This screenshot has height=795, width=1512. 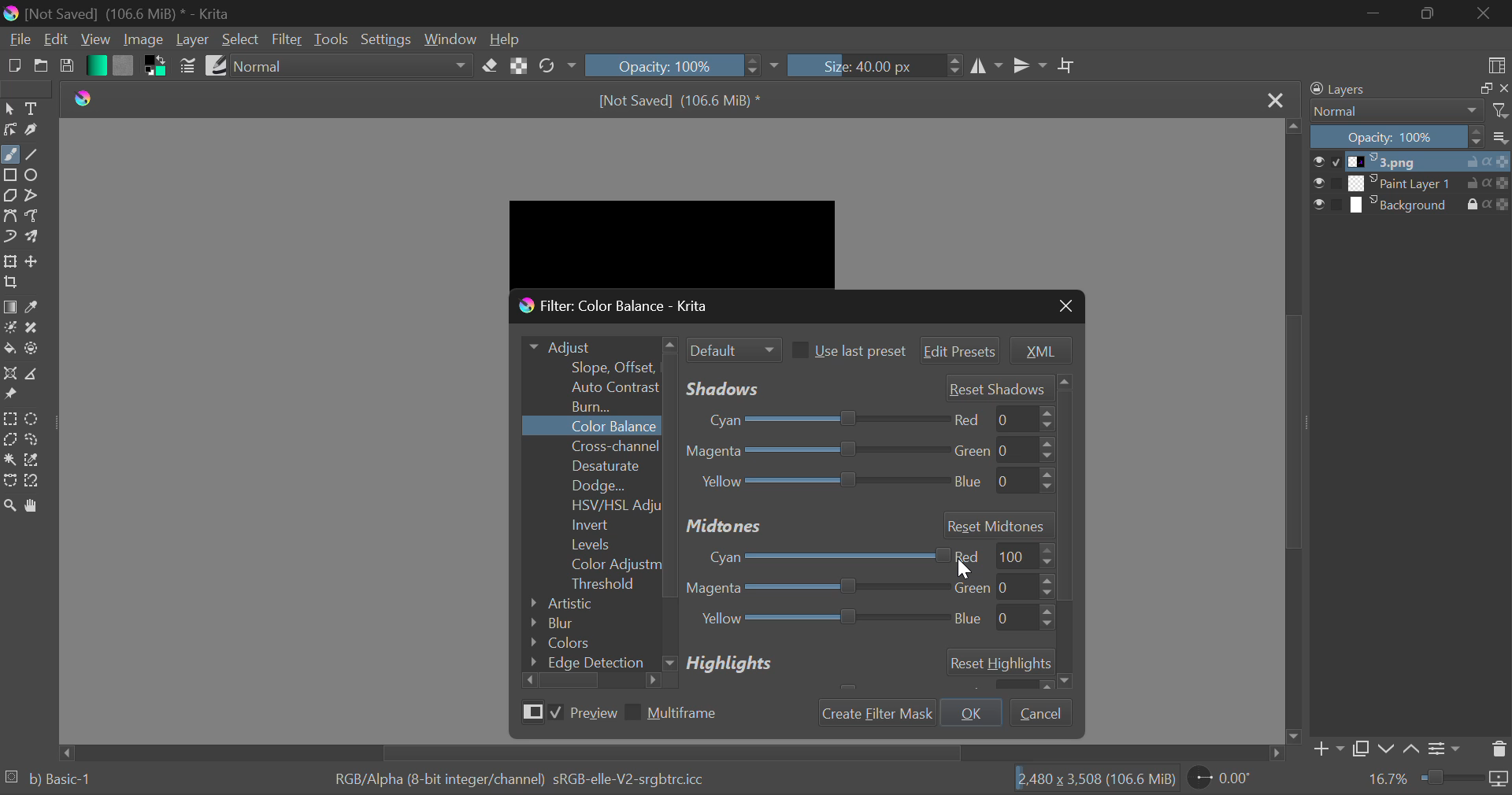 What do you see at coordinates (35, 481) in the screenshot?
I see `Magnetic Selection` at bounding box center [35, 481].